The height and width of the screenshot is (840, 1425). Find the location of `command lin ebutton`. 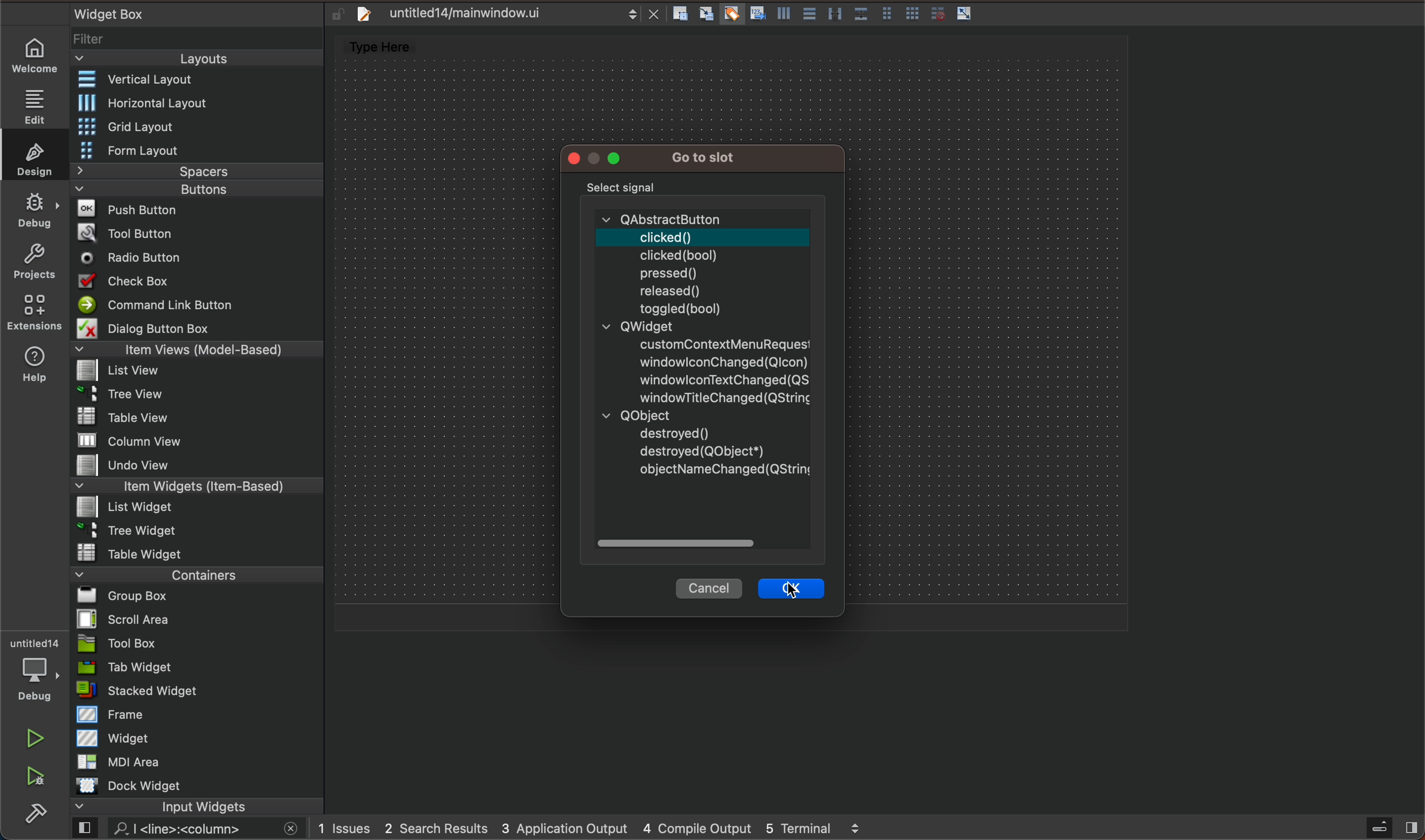

command lin ebutton is located at coordinates (200, 307).